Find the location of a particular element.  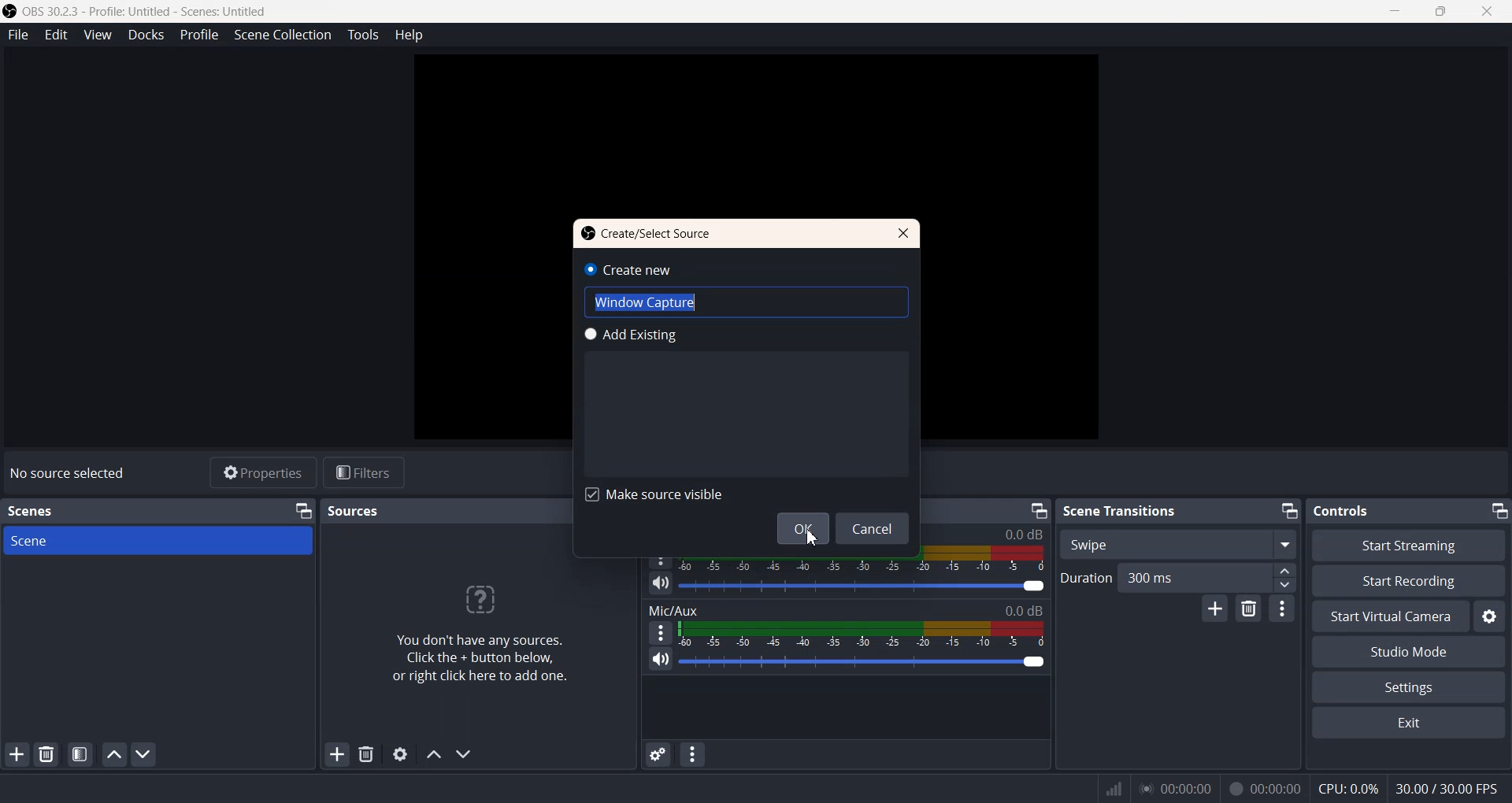

More is located at coordinates (660, 632).